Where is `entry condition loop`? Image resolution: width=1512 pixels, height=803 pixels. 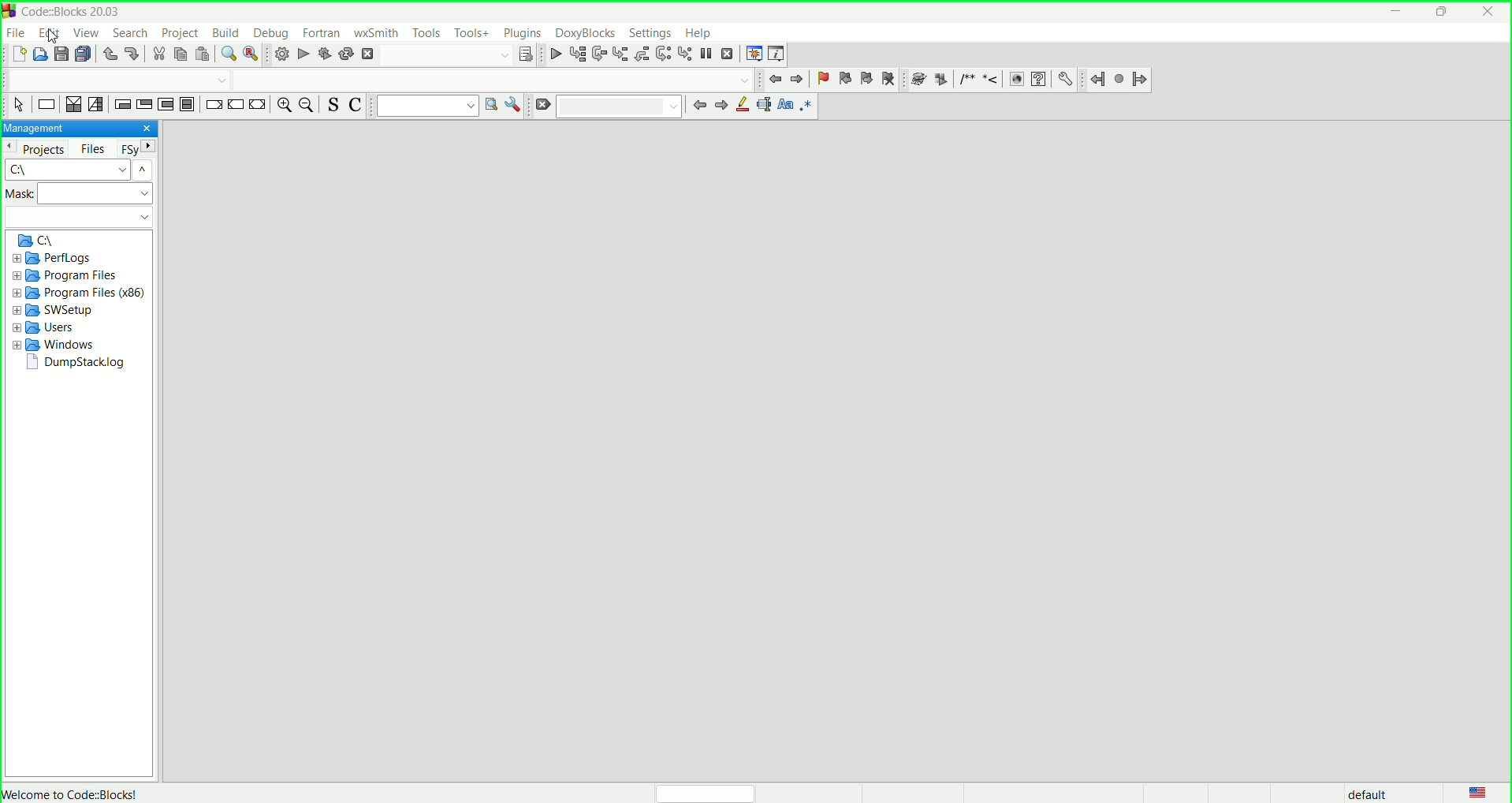 entry condition loop is located at coordinates (123, 104).